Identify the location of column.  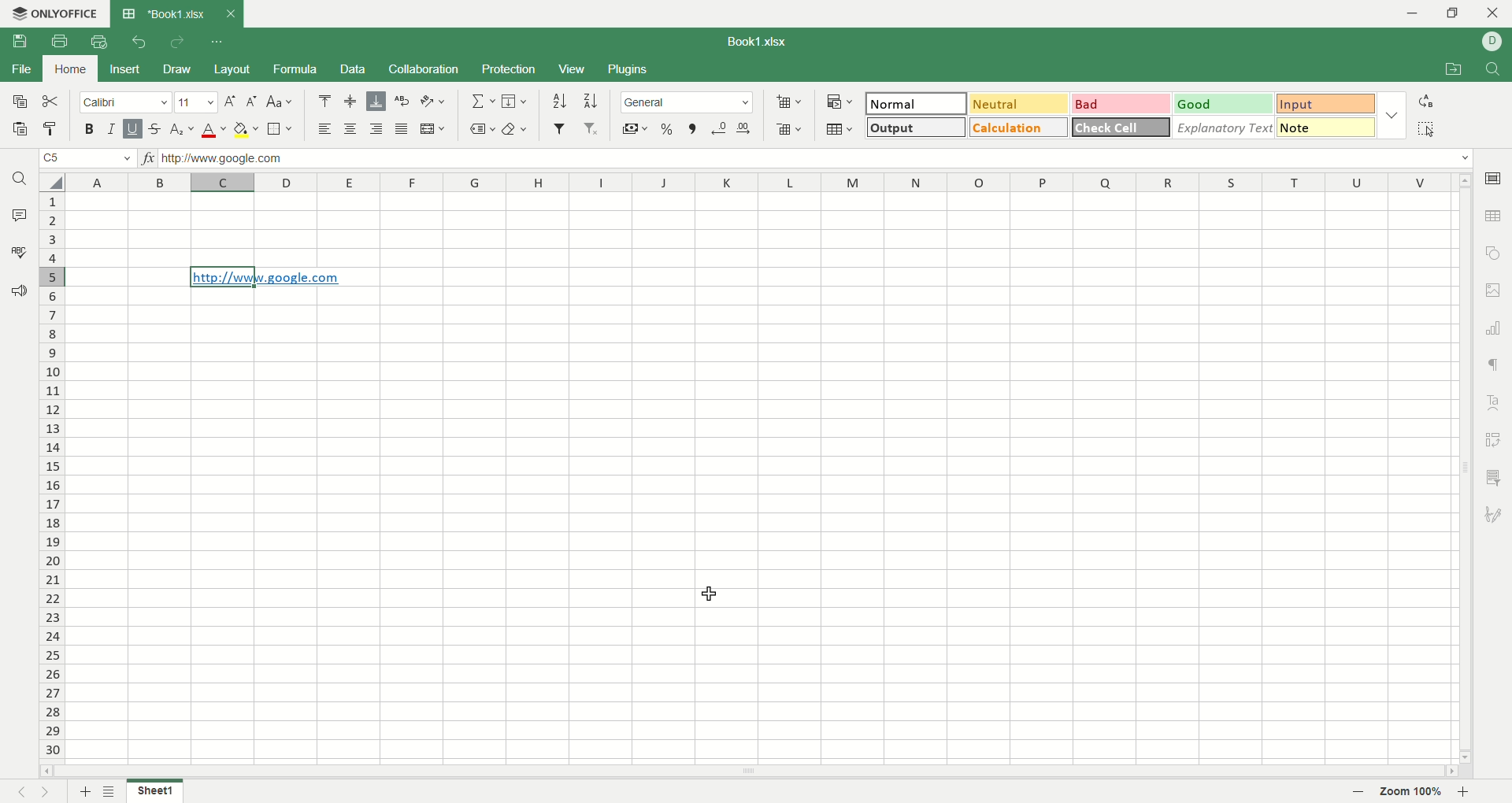
(759, 183).